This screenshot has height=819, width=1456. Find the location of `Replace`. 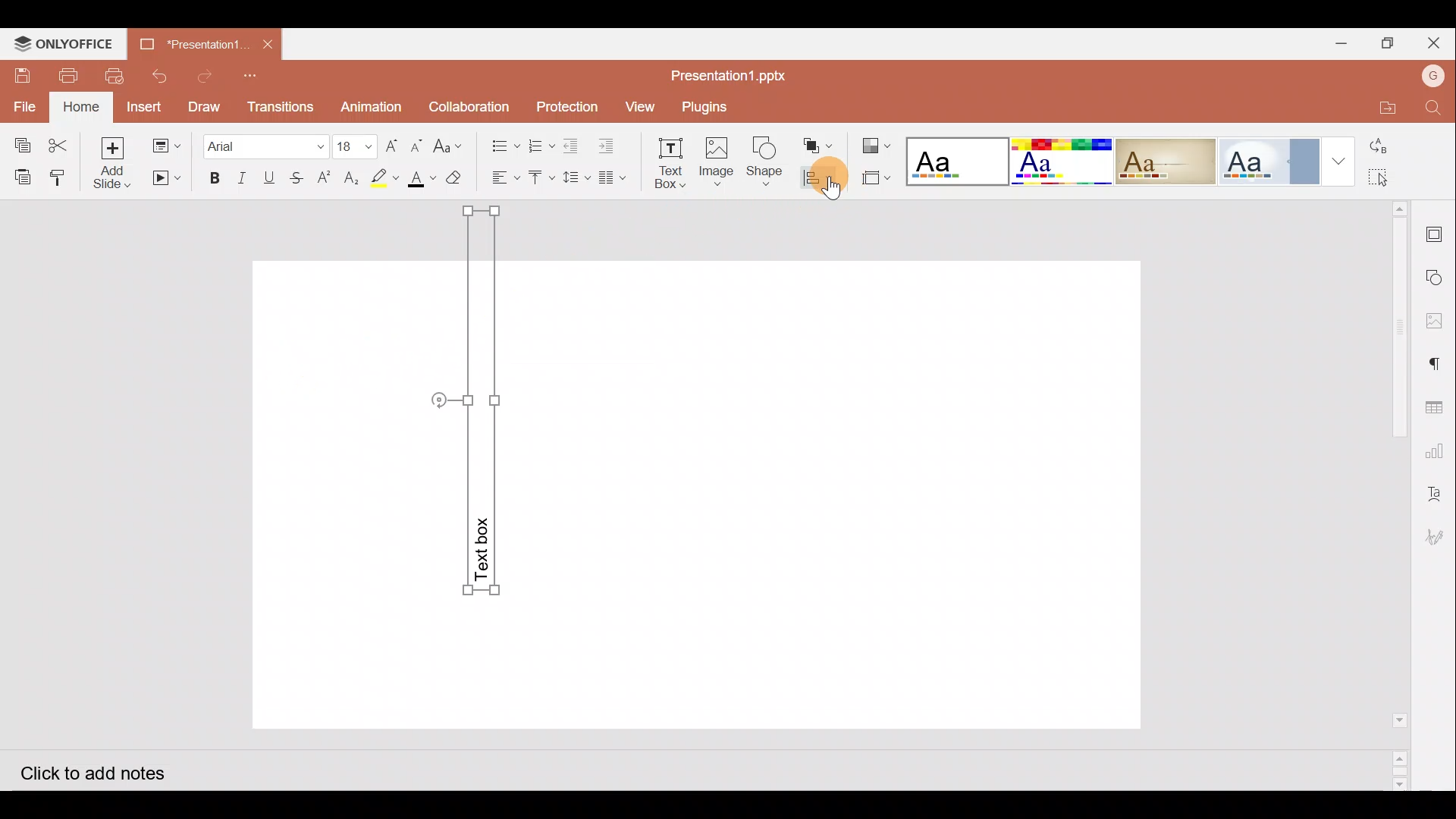

Replace is located at coordinates (1395, 148).